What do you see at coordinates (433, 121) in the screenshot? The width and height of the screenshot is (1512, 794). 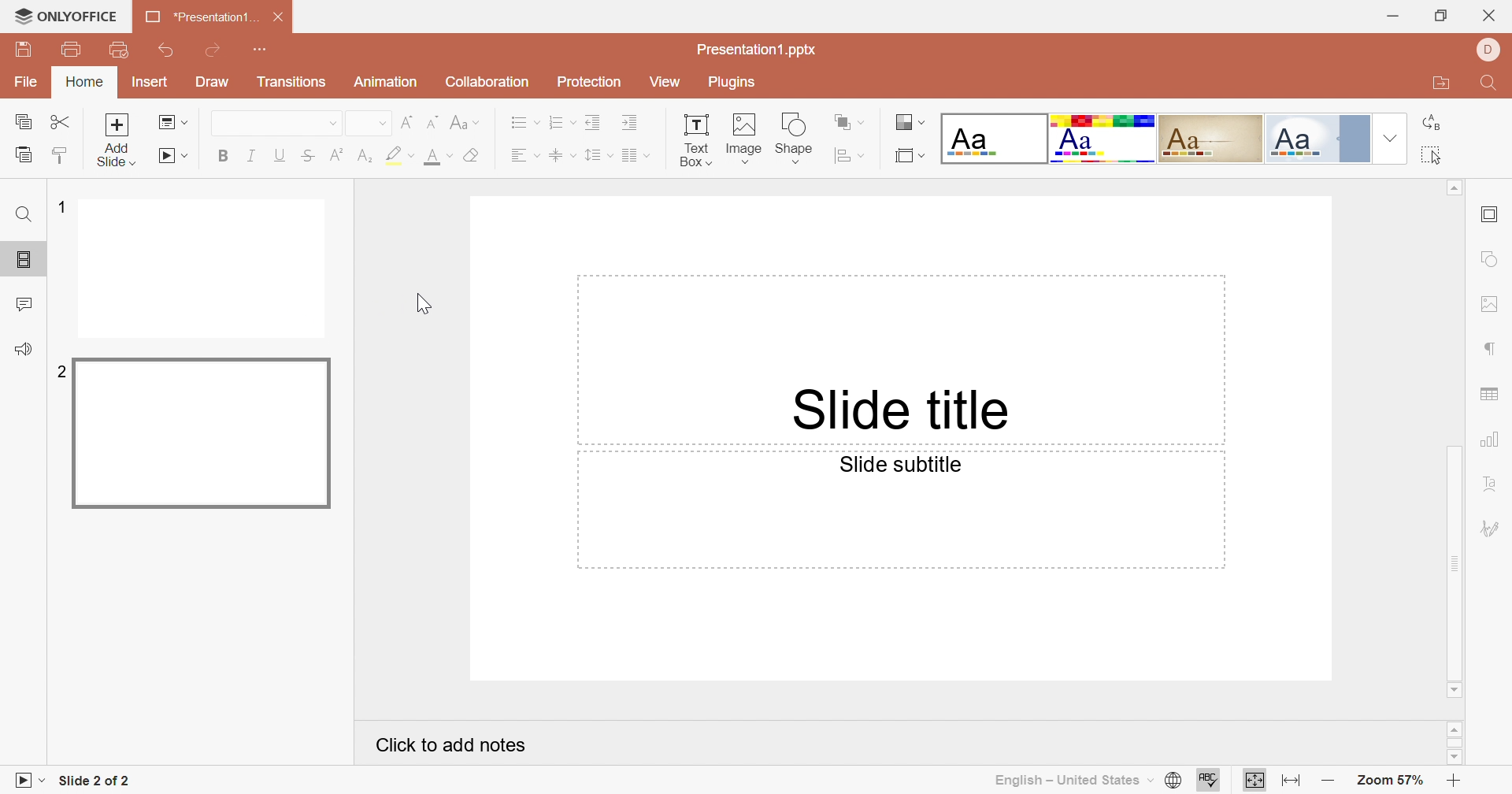 I see `Decrement Font Size` at bounding box center [433, 121].